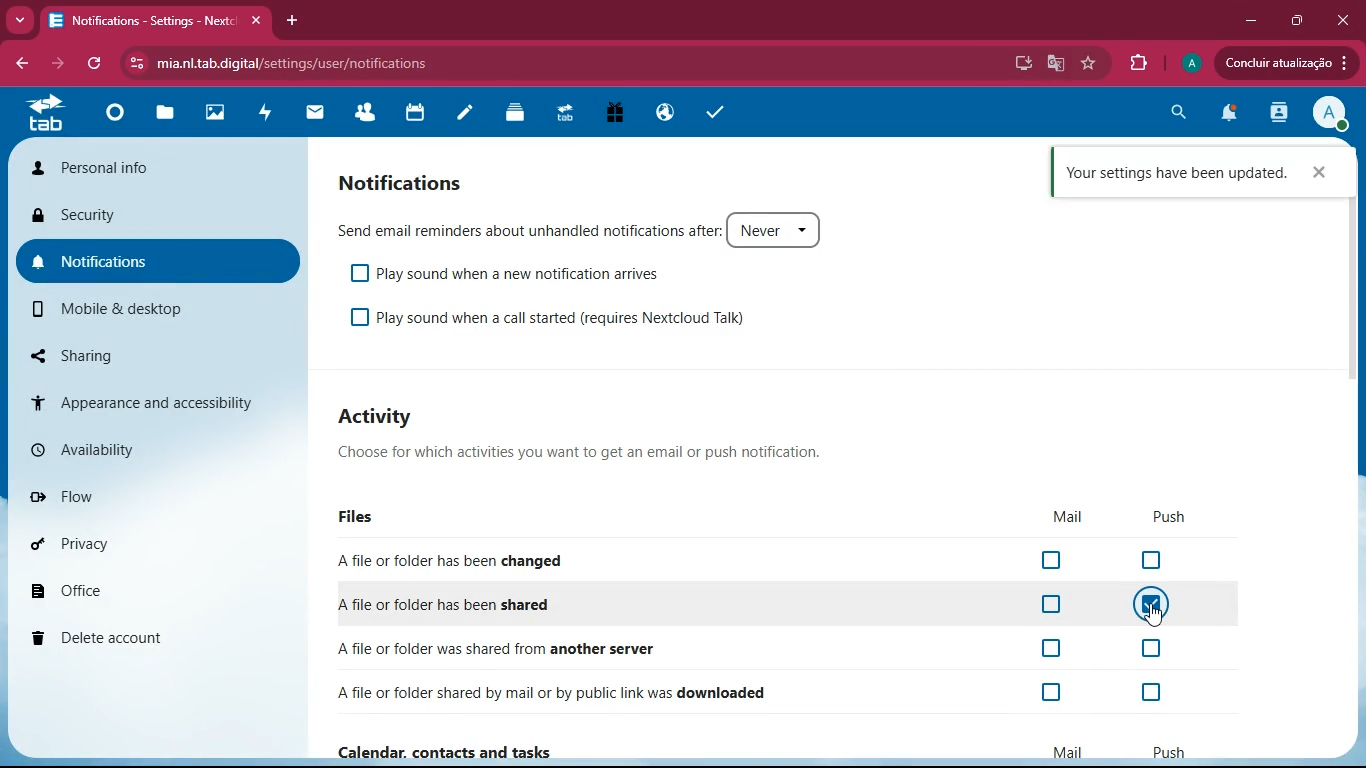 The image size is (1366, 768). I want to click on close, so click(1346, 18).